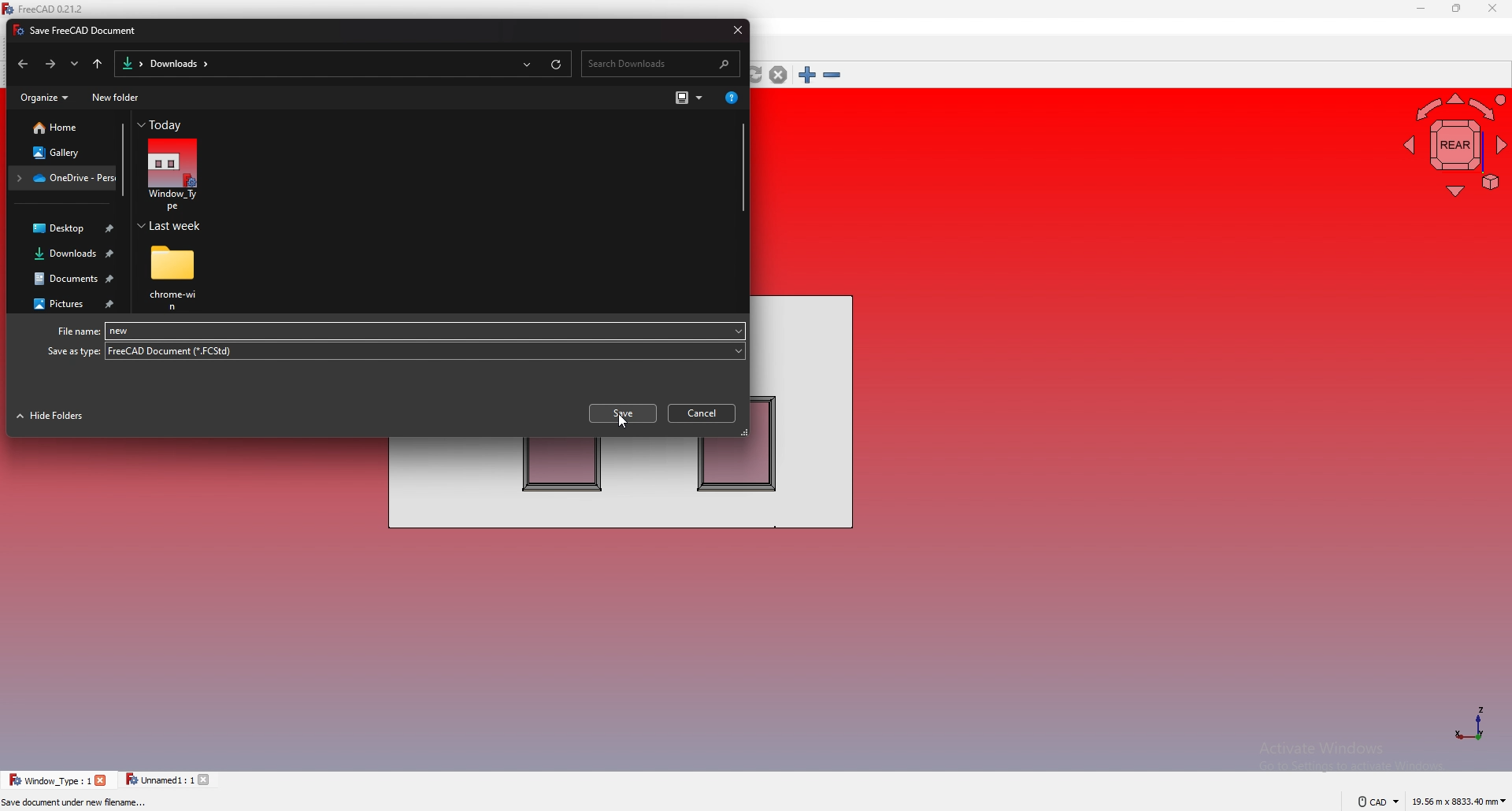 The height and width of the screenshot is (811, 1512). I want to click on resize, so click(1456, 9).